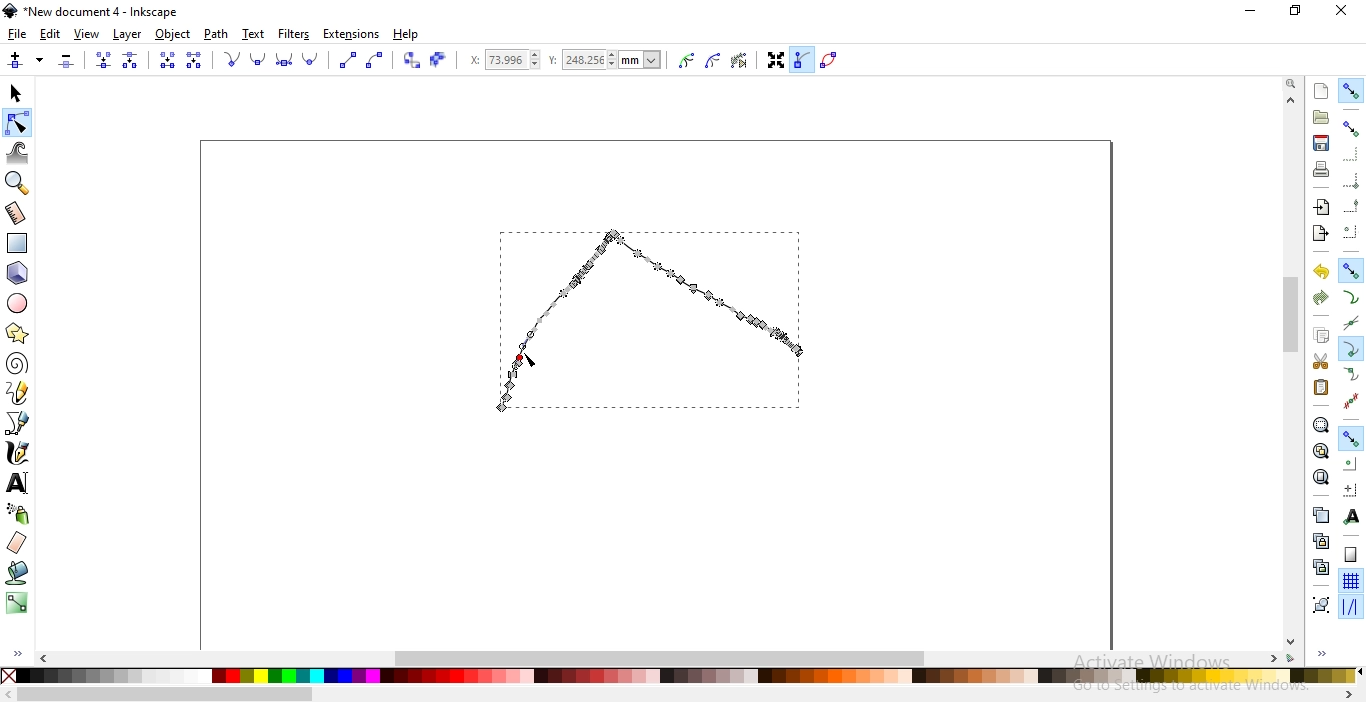  Describe the element at coordinates (1351, 231) in the screenshot. I see `snapping centers of bounding boxes` at that location.